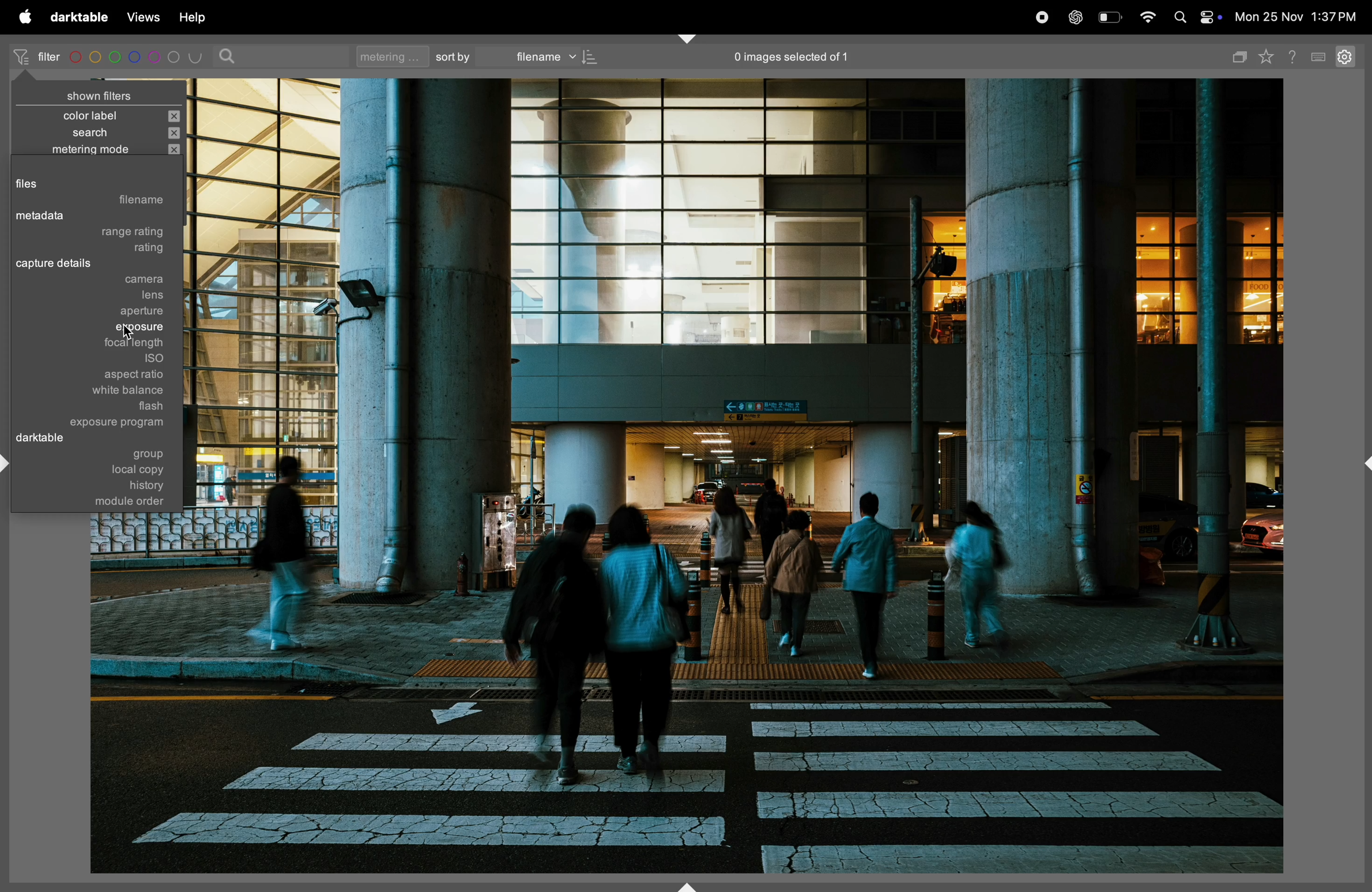  I want to click on search, so click(105, 134).